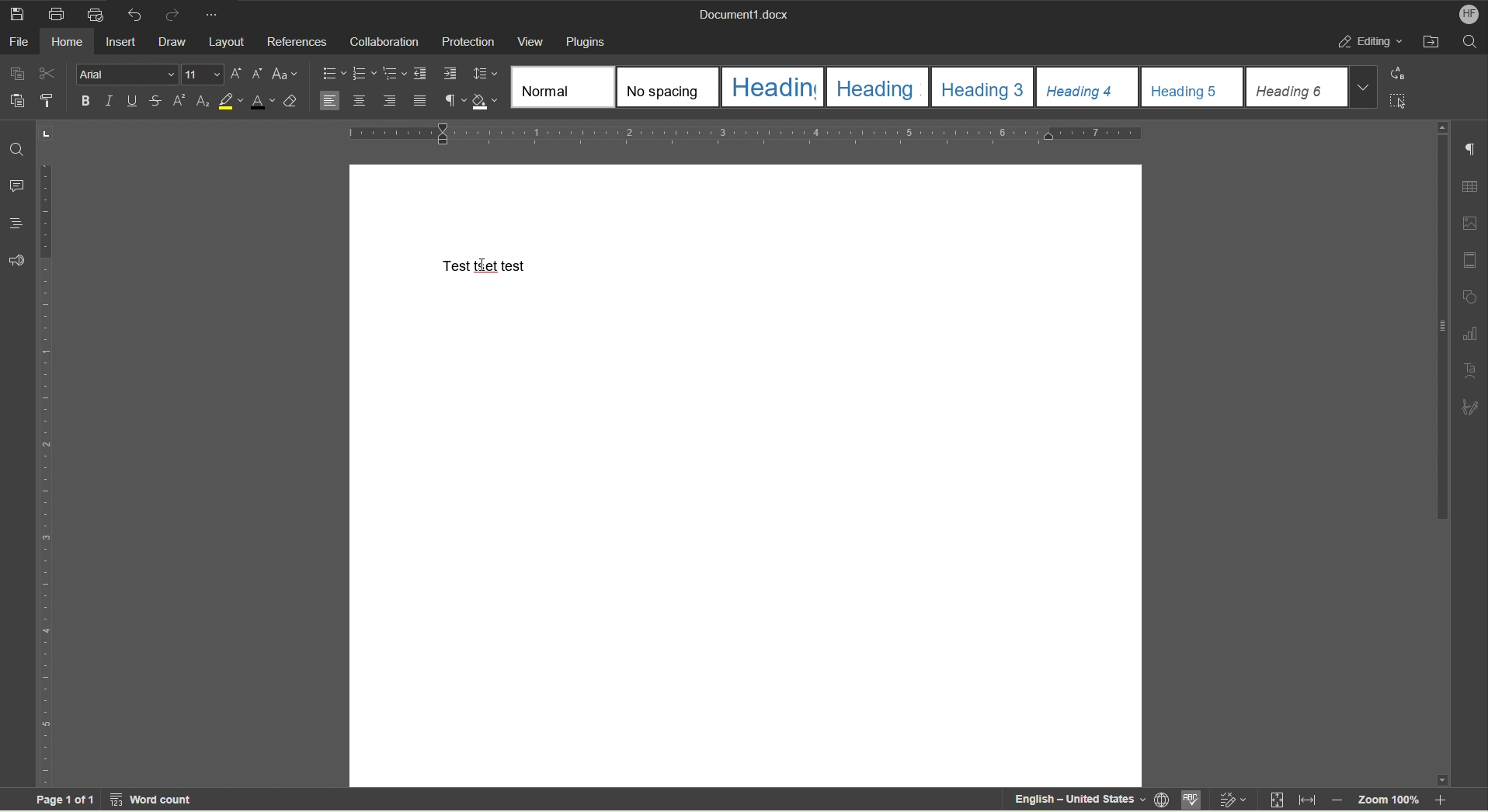 Image resolution: width=1488 pixels, height=812 pixels. I want to click on Copy, so click(19, 74).